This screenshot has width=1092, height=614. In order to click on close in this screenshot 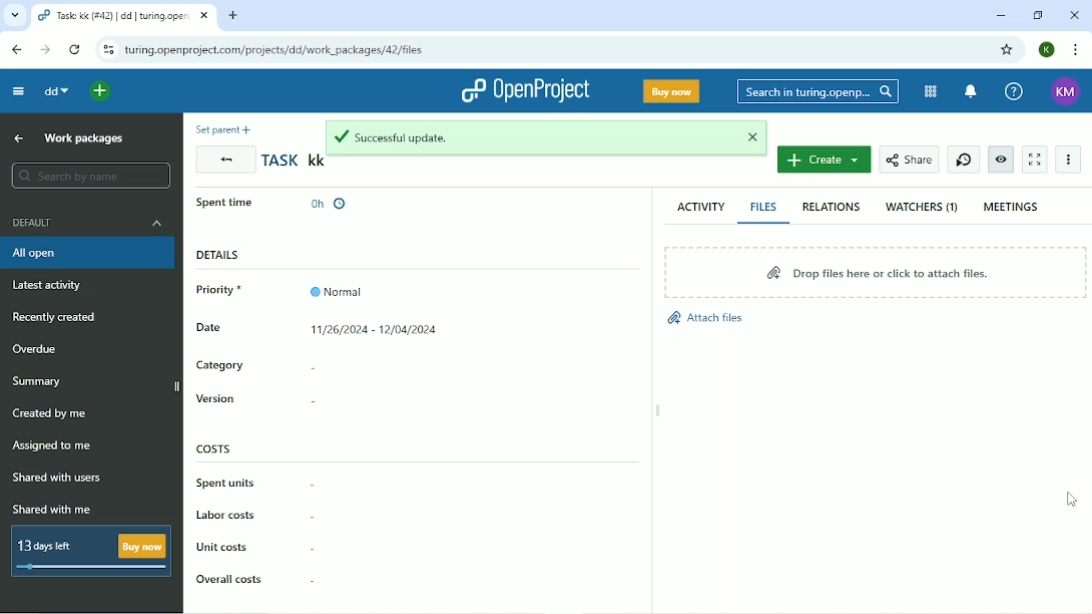, I will do `click(746, 135)`.